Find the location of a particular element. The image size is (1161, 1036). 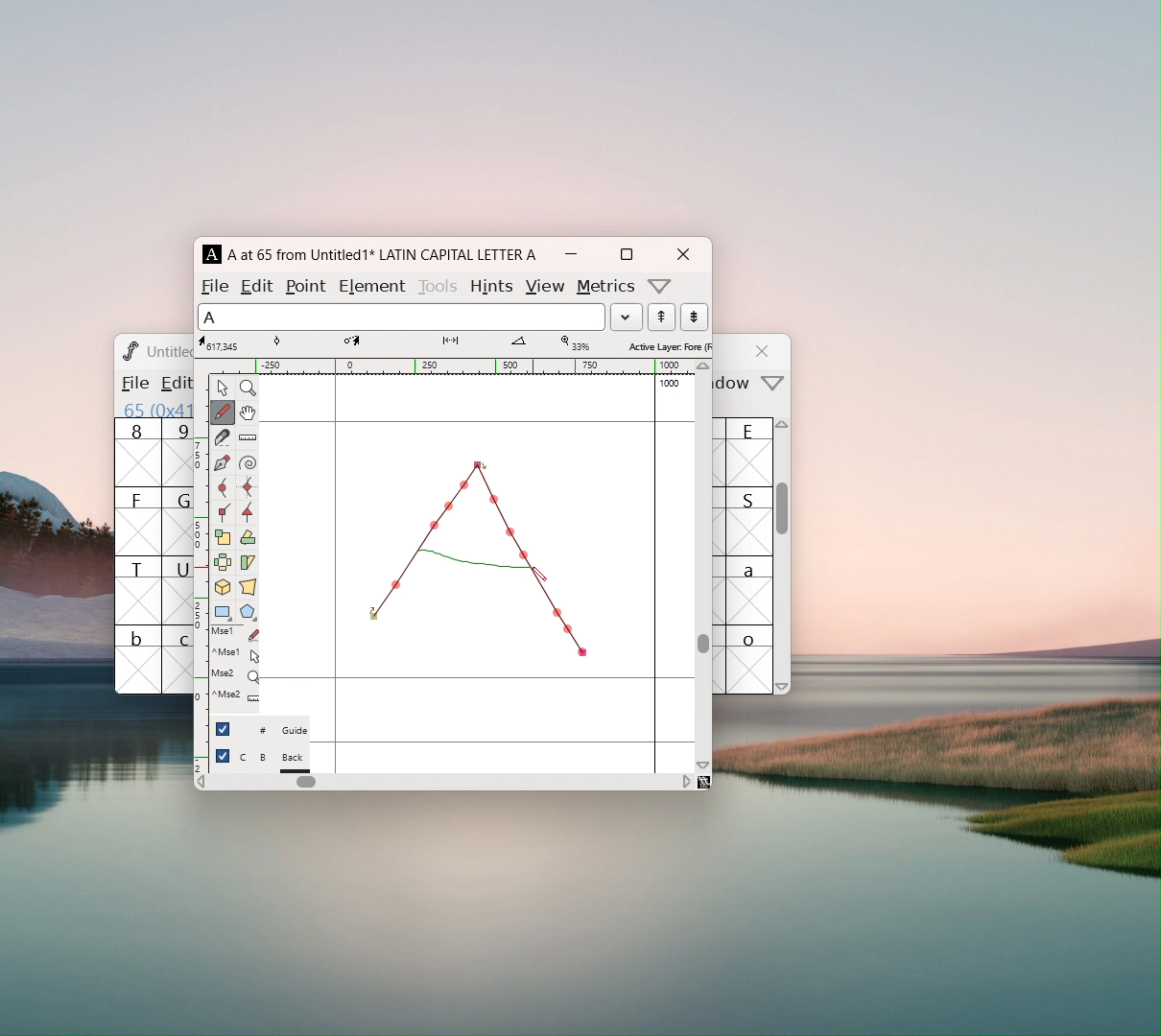

maximize is located at coordinates (626, 254).